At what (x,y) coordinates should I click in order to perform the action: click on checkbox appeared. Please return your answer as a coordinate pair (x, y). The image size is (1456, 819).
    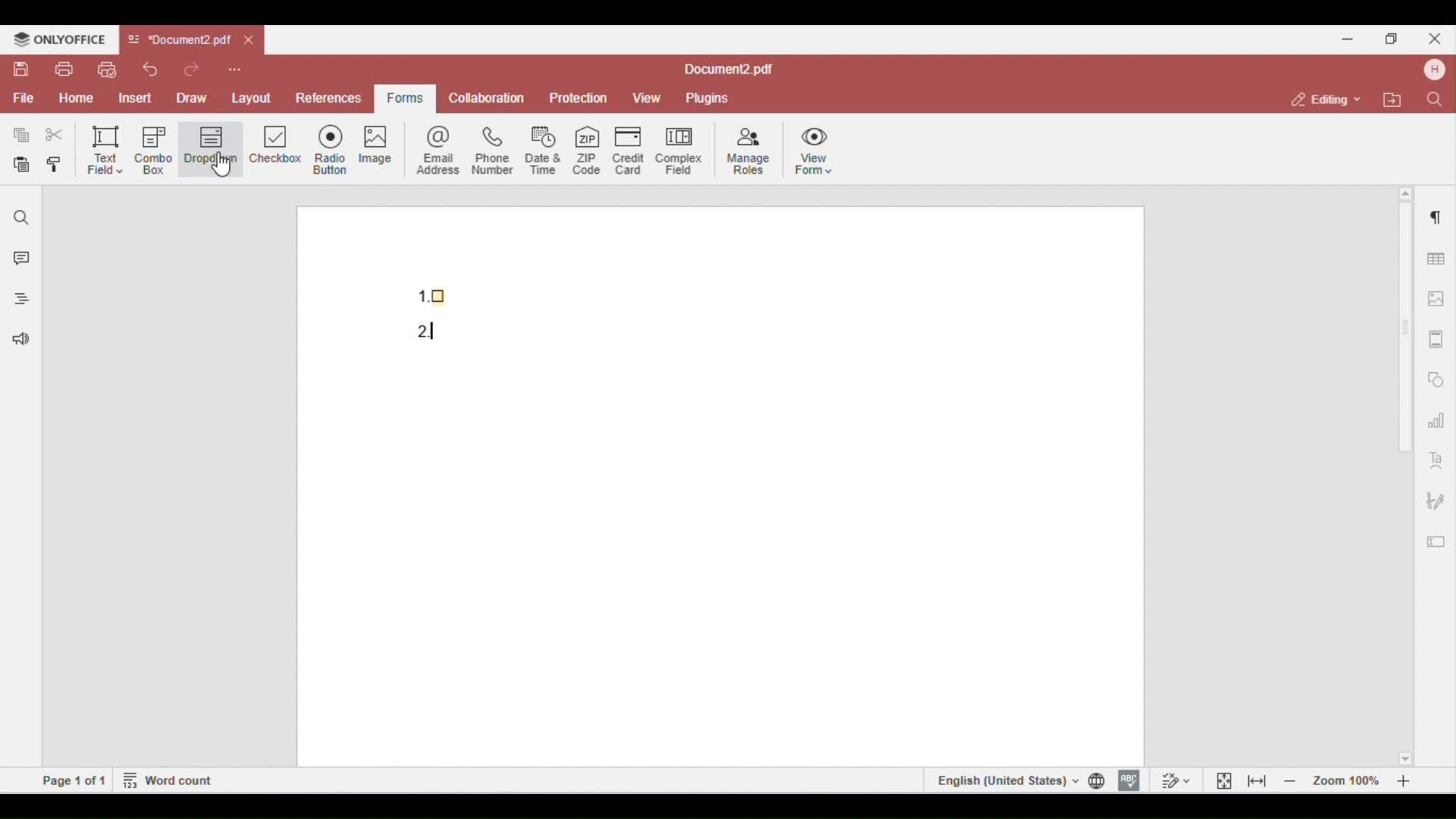
    Looking at the image, I should click on (437, 293).